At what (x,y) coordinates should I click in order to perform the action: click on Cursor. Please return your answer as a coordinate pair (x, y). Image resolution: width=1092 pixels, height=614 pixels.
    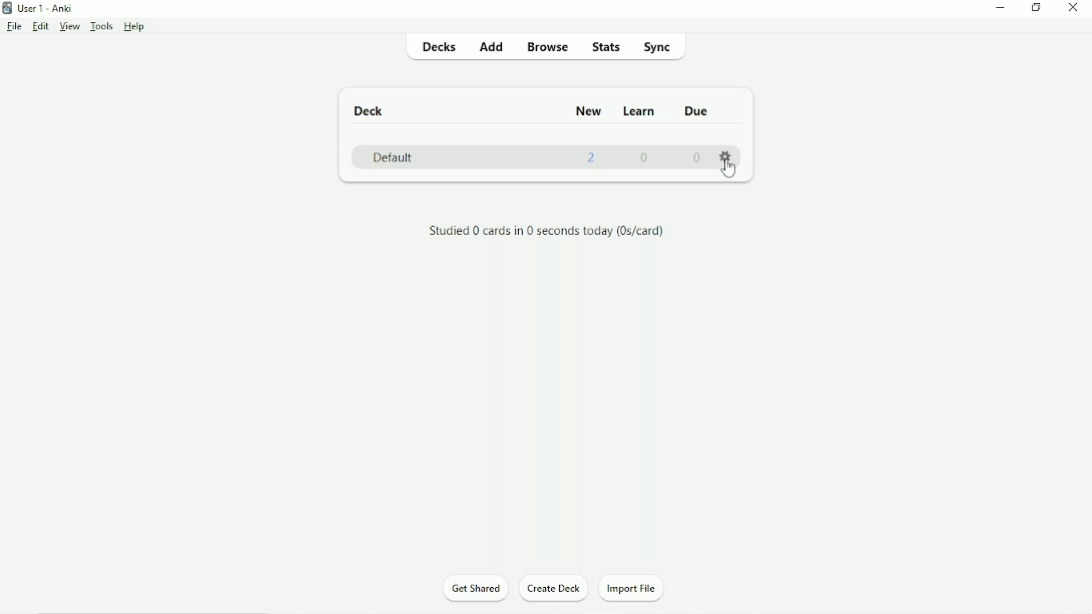
    Looking at the image, I should click on (728, 173).